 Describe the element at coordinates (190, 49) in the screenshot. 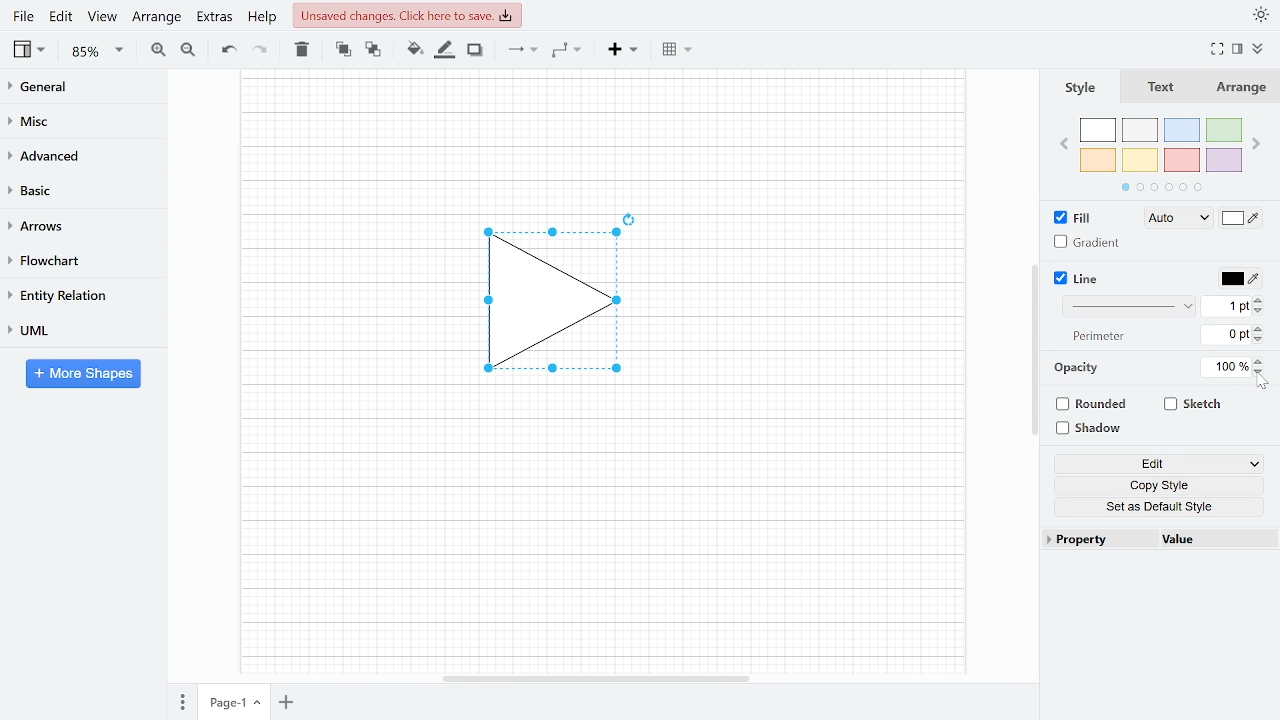

I see `Zoom out` at that location.